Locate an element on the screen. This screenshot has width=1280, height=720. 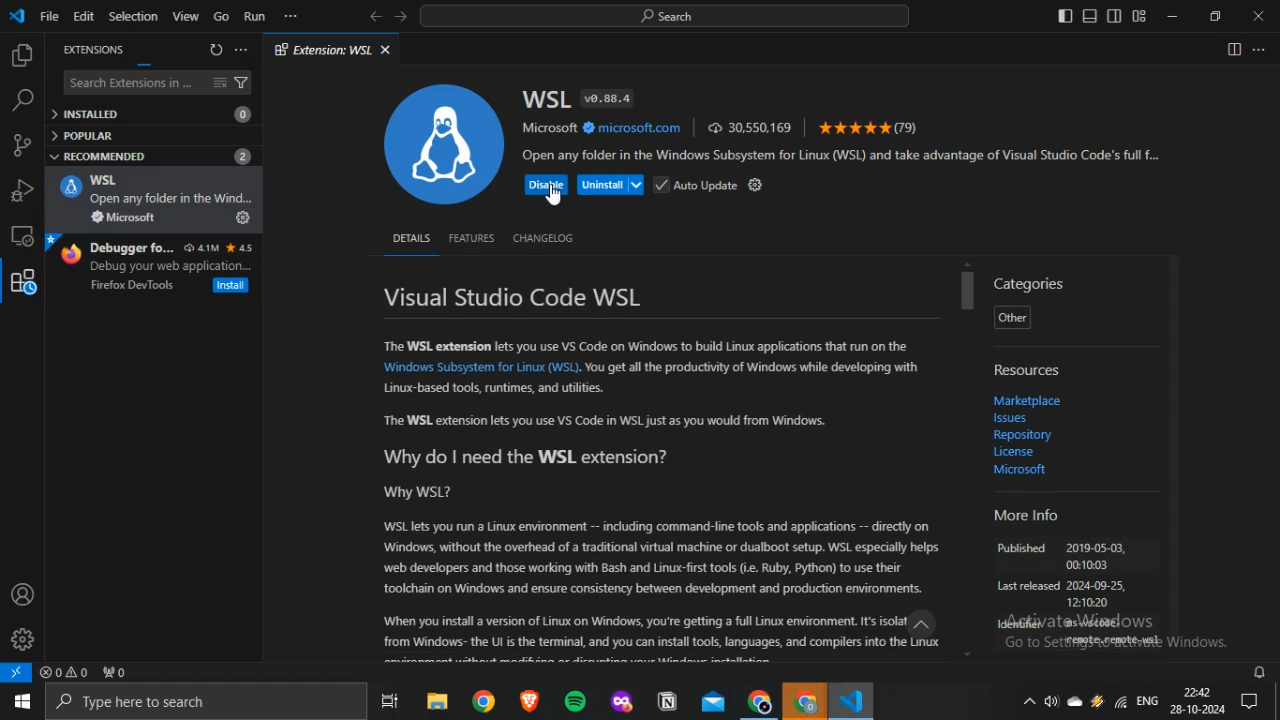
Debugger fo... is located at coordinates (133, 248).